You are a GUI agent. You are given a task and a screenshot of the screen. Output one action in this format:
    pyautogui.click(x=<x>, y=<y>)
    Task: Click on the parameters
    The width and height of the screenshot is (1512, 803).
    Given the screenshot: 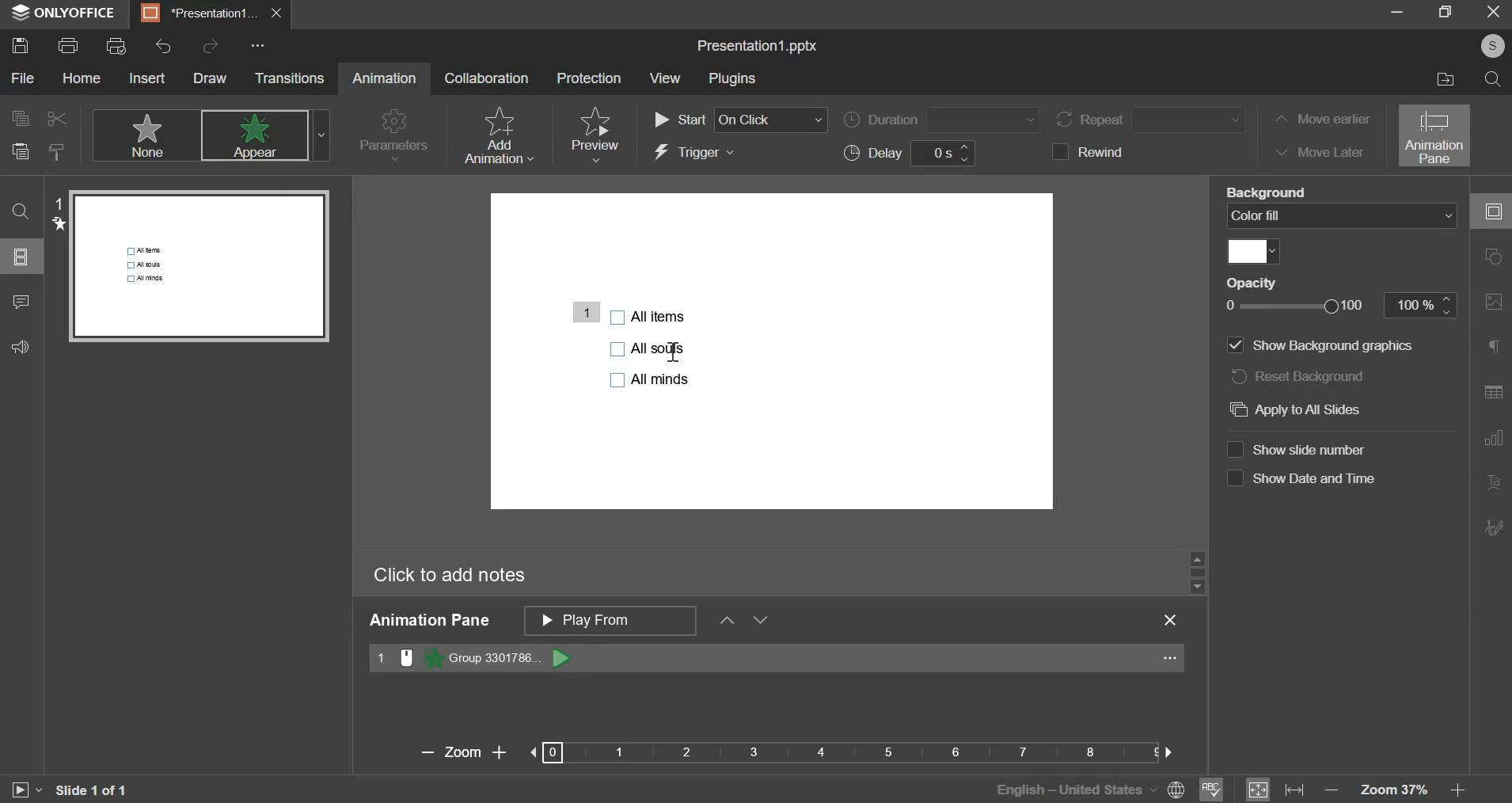 What is the action you would take?
    pyautogui.click(x=394, y=137)
    